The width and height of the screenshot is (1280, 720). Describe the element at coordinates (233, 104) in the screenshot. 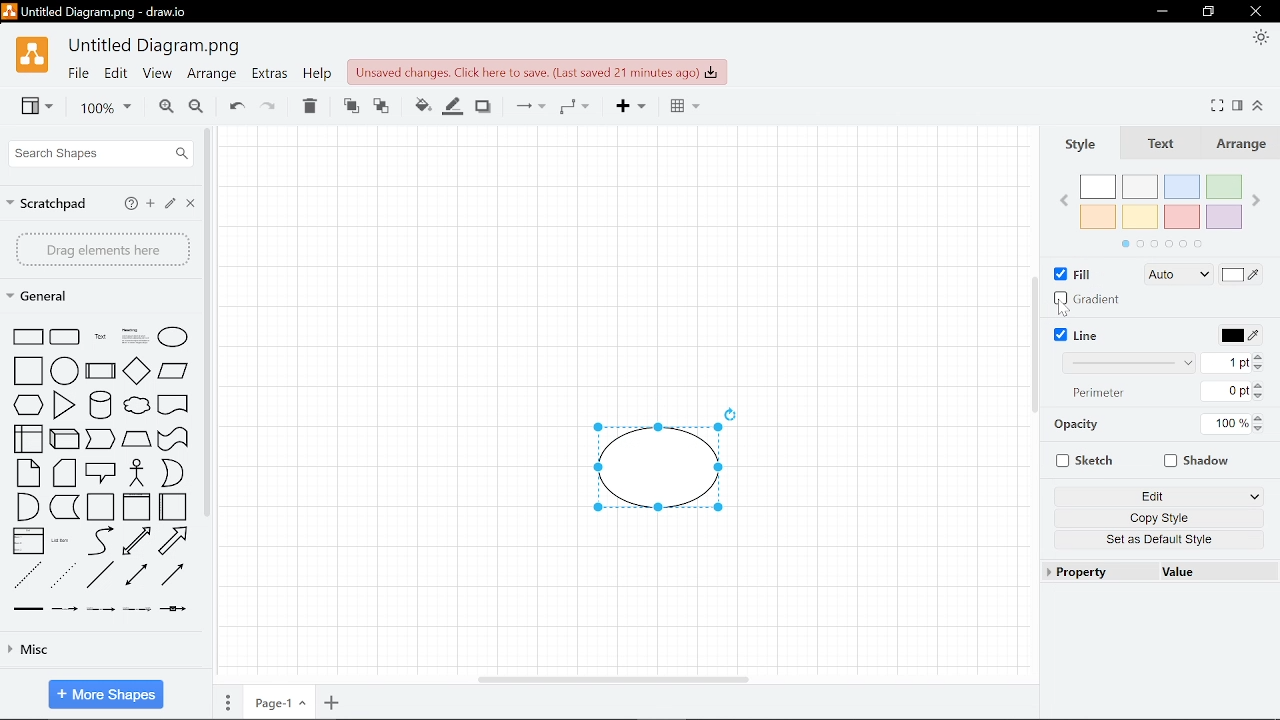

I see `Undo` at that location.